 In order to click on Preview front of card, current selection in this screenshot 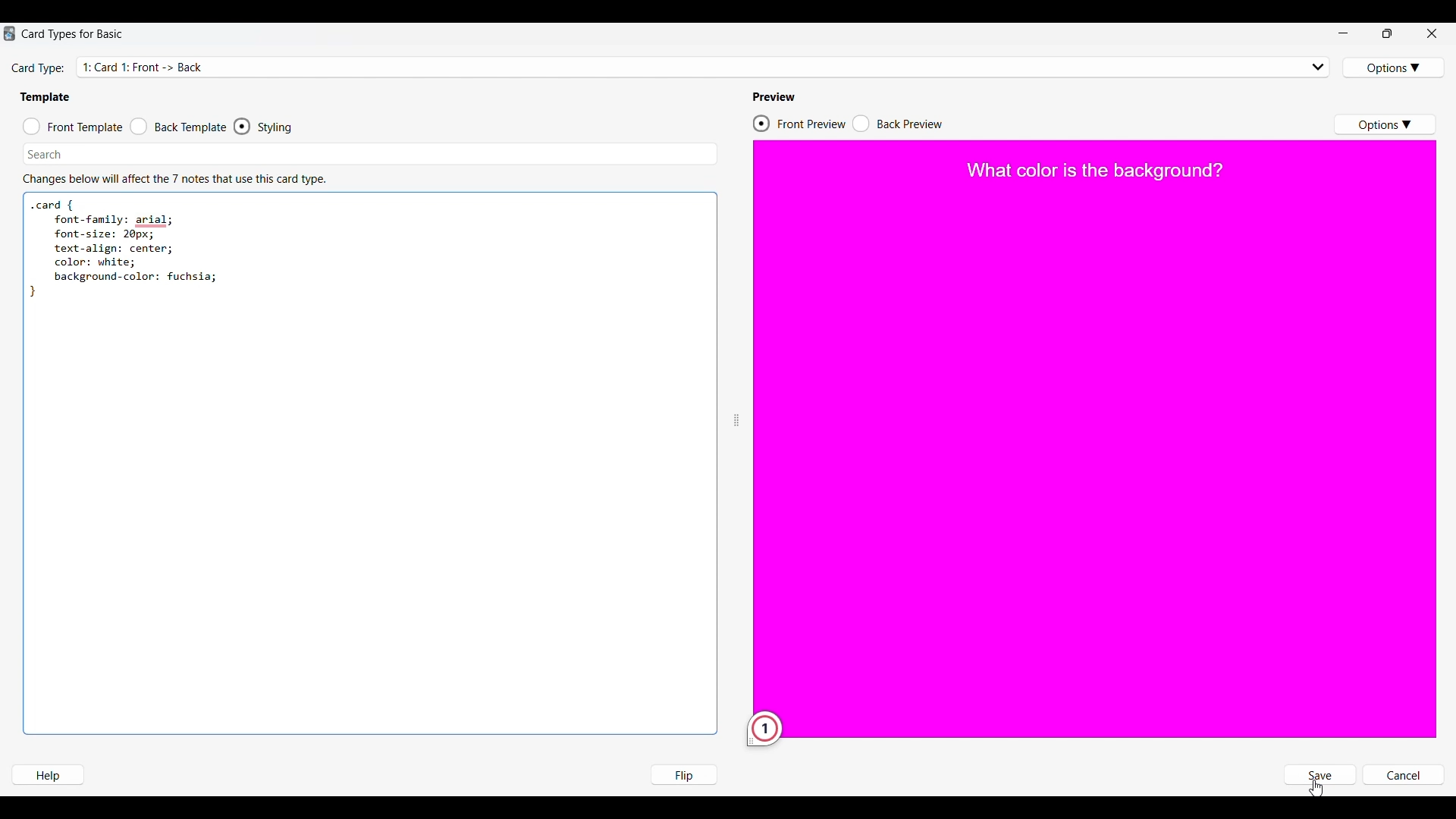, I will do `click(799, 124)`.